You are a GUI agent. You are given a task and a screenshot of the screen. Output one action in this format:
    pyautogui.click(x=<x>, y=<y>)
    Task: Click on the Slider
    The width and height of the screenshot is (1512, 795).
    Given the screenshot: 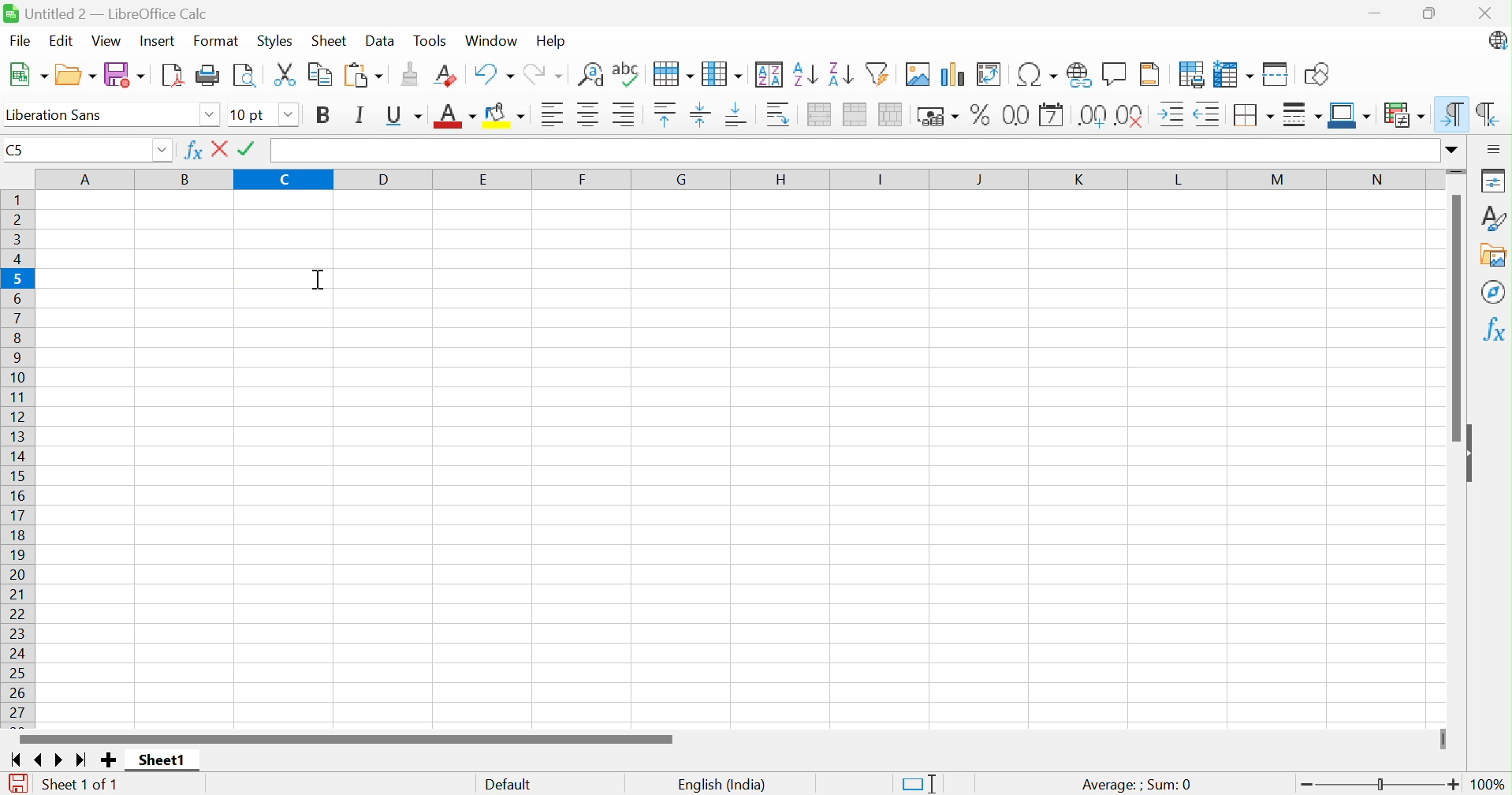 What is the action you would take?
    pyautogui.click(x=1441, y=738)
    